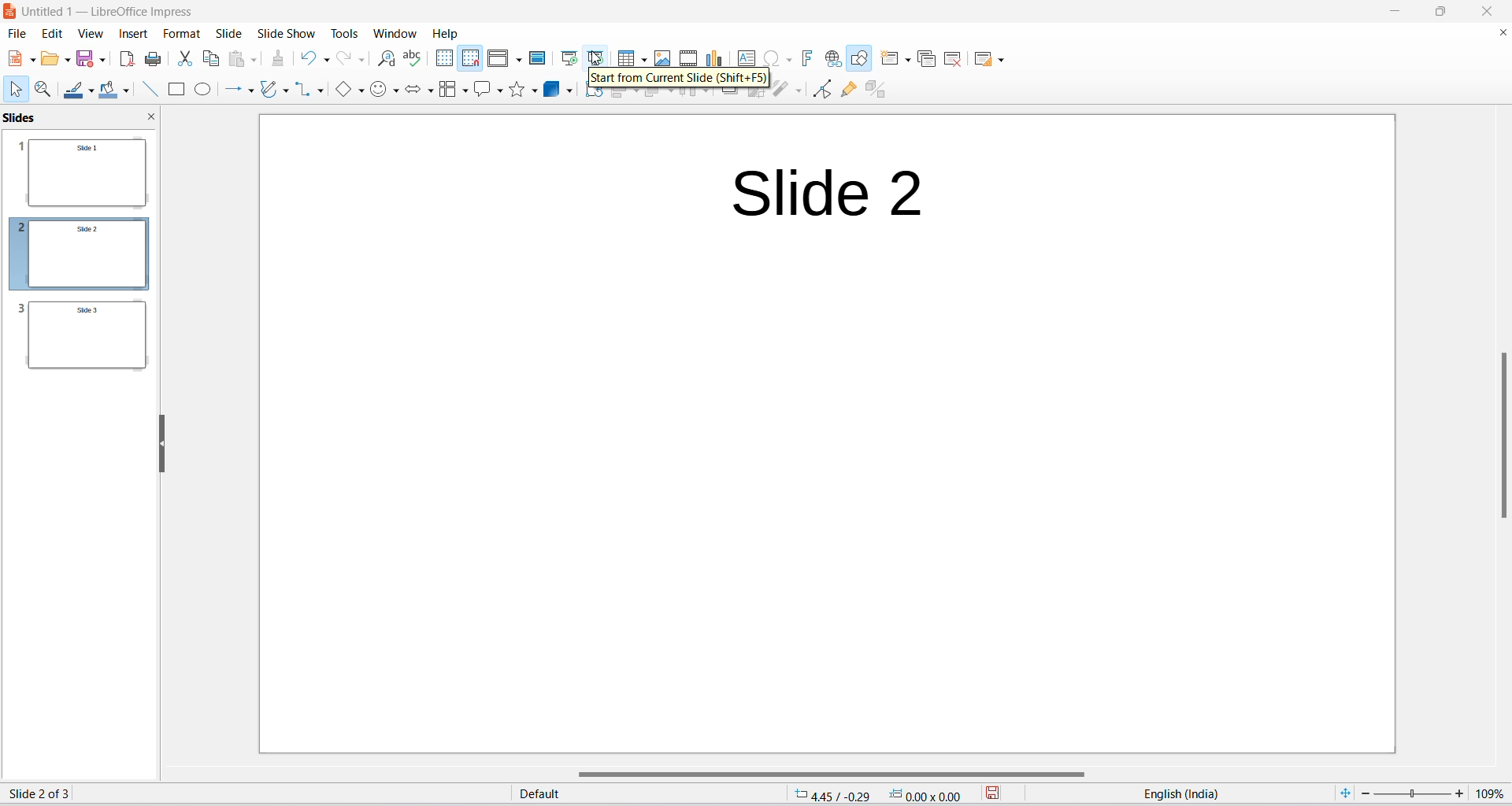 This screenshot has width=1512, height=806. Describe the element at coordinates (431, 91) in the screenshot. I see `block arrows options` at that location.